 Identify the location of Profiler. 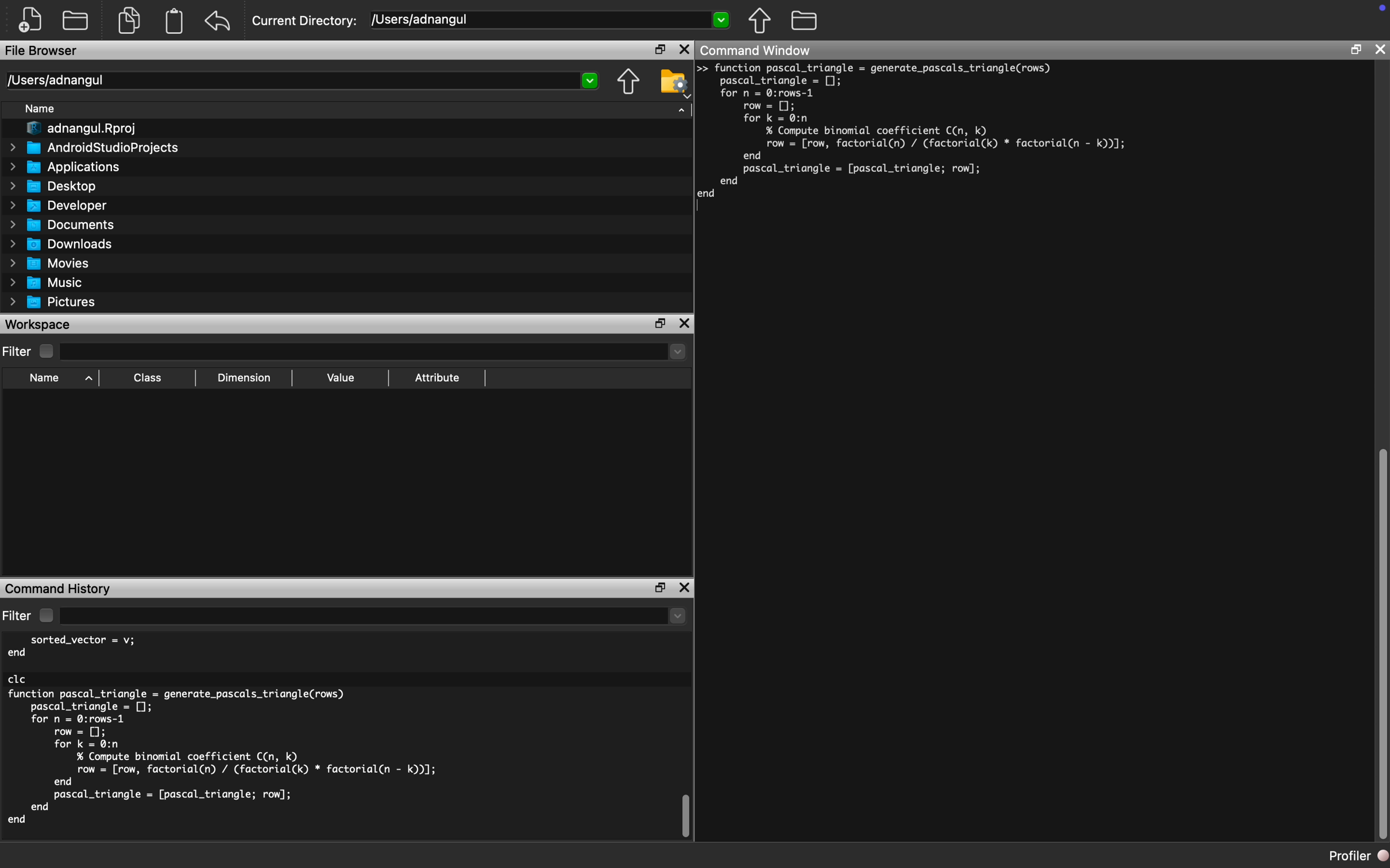
(1358, 855).